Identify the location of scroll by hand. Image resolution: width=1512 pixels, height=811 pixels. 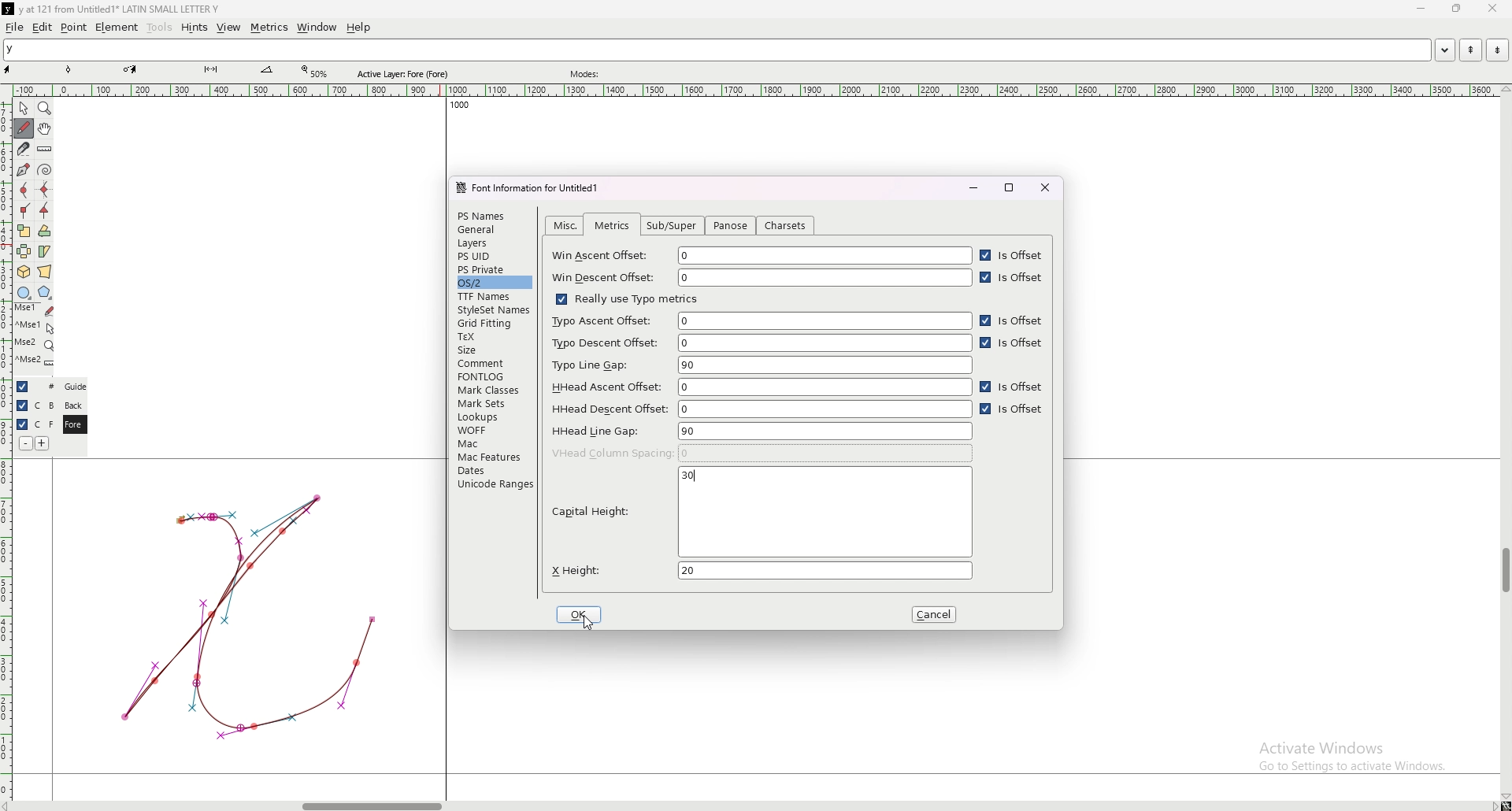
(45, 129).